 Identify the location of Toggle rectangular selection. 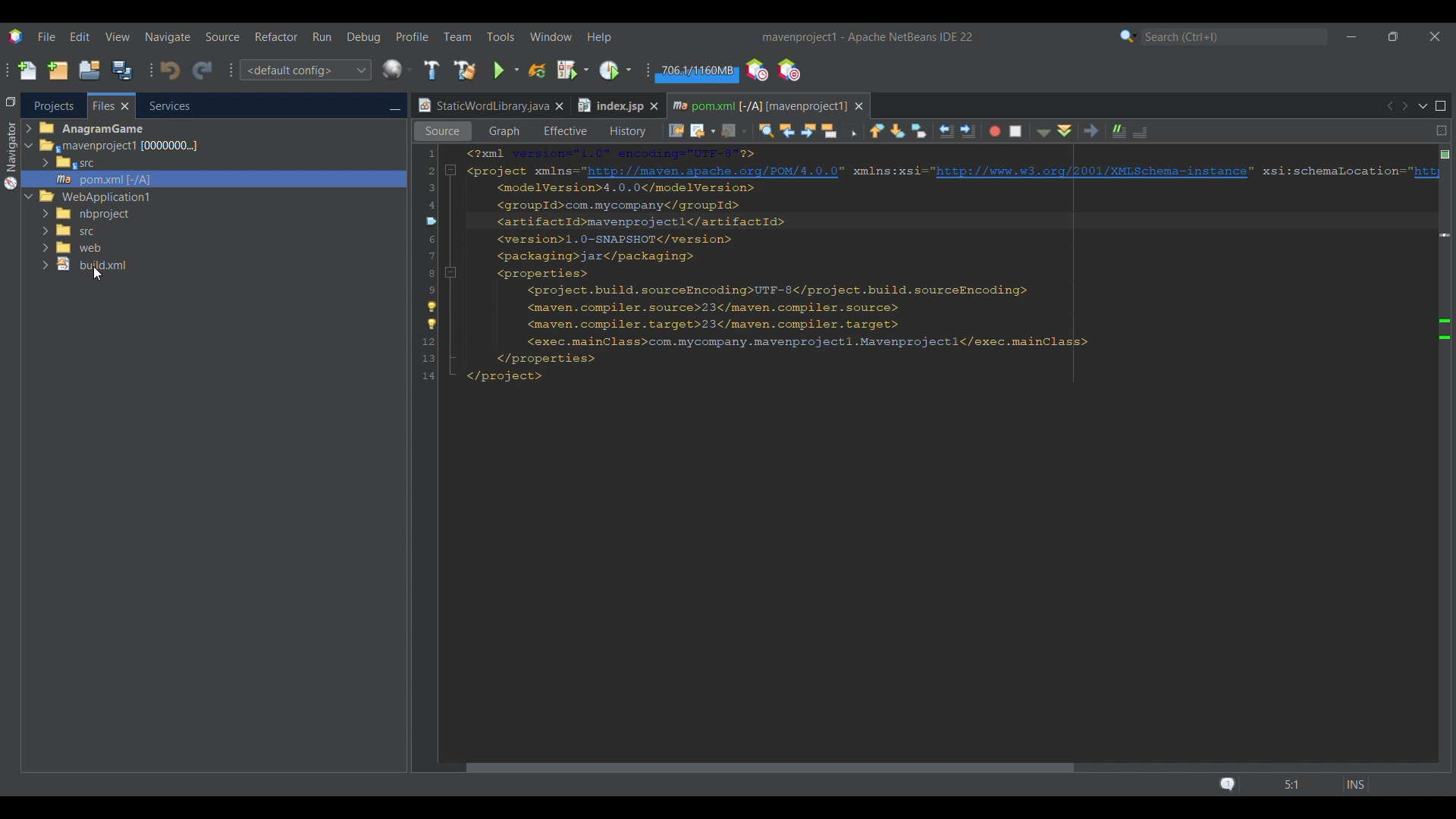
(852, 132).